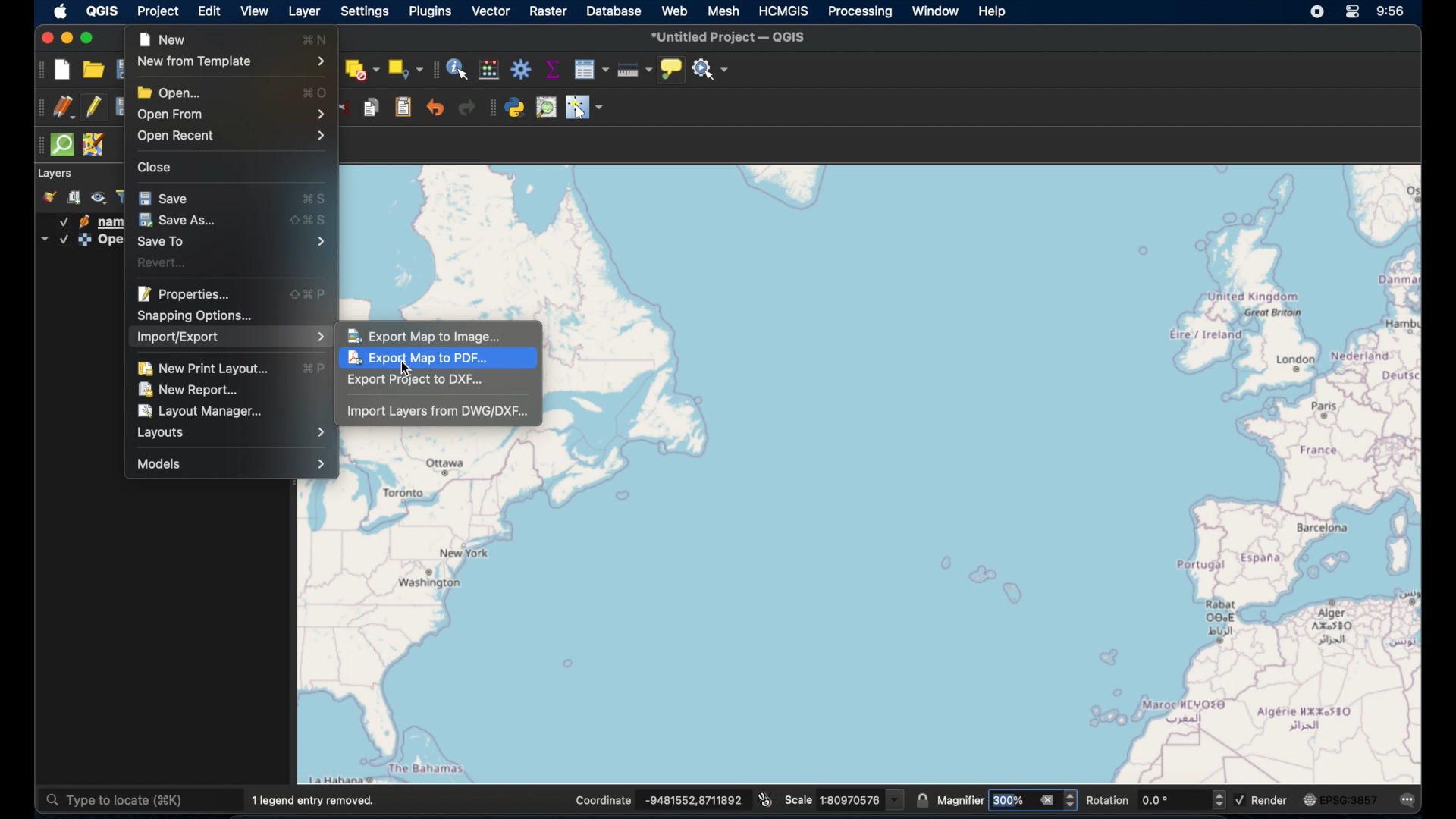  Describe the element at coordinates (64, 108) in the screenshot. I see `current edits` at that location.